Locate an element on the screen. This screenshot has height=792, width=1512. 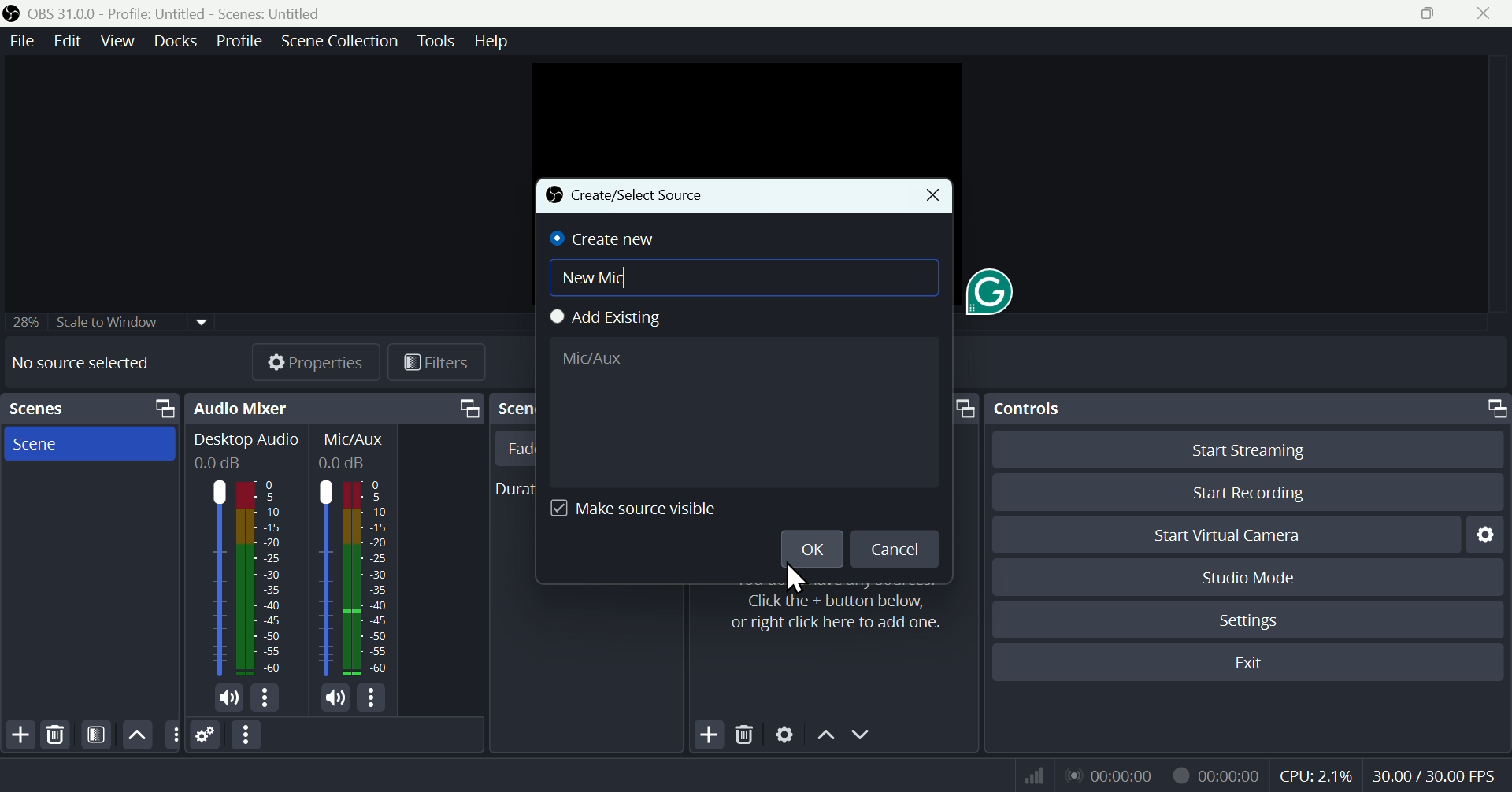
Settings is located at coordinates (1490, 534).